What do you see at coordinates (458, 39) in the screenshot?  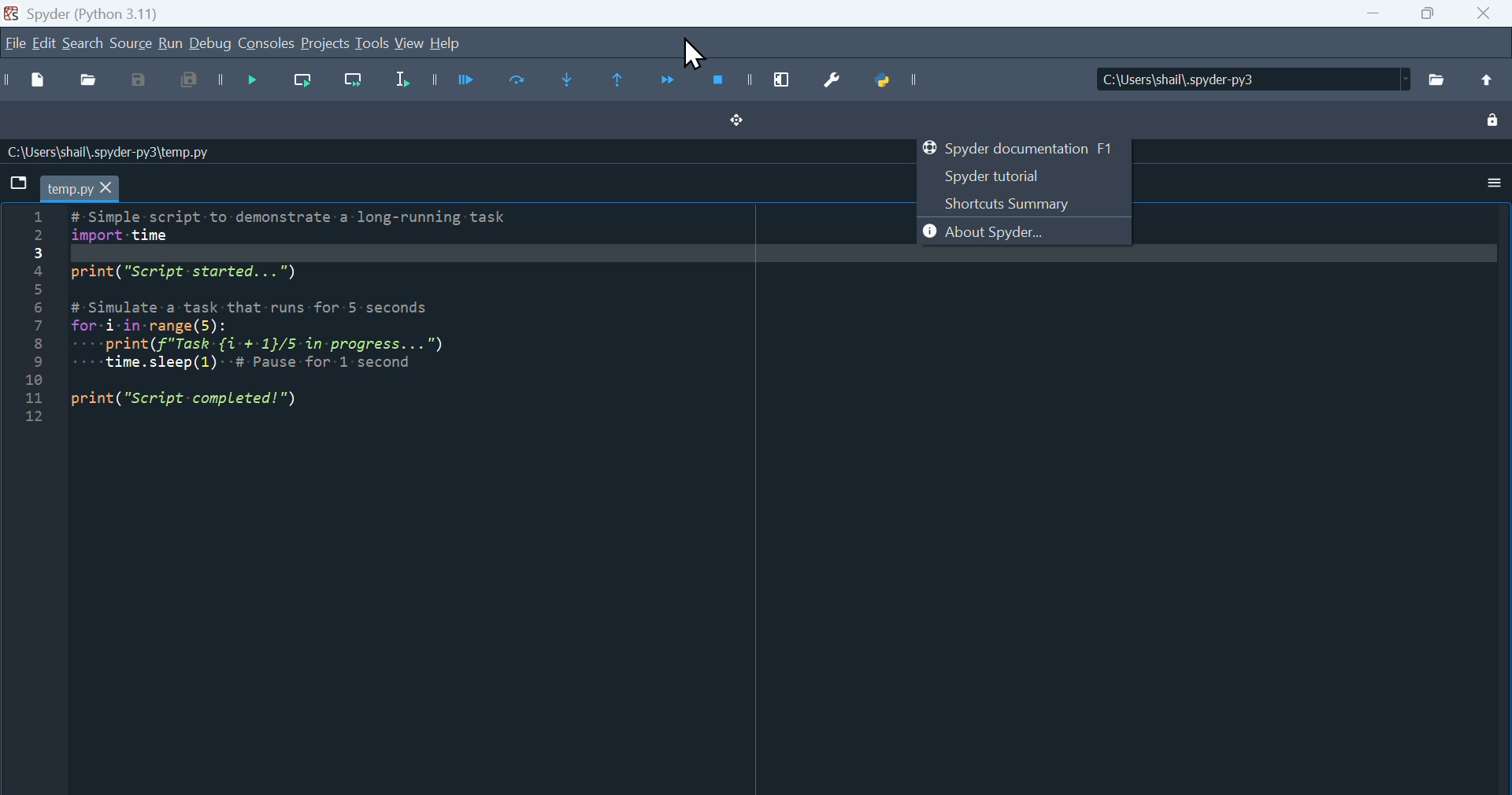 I see `help` at bounding box center [458, 39].